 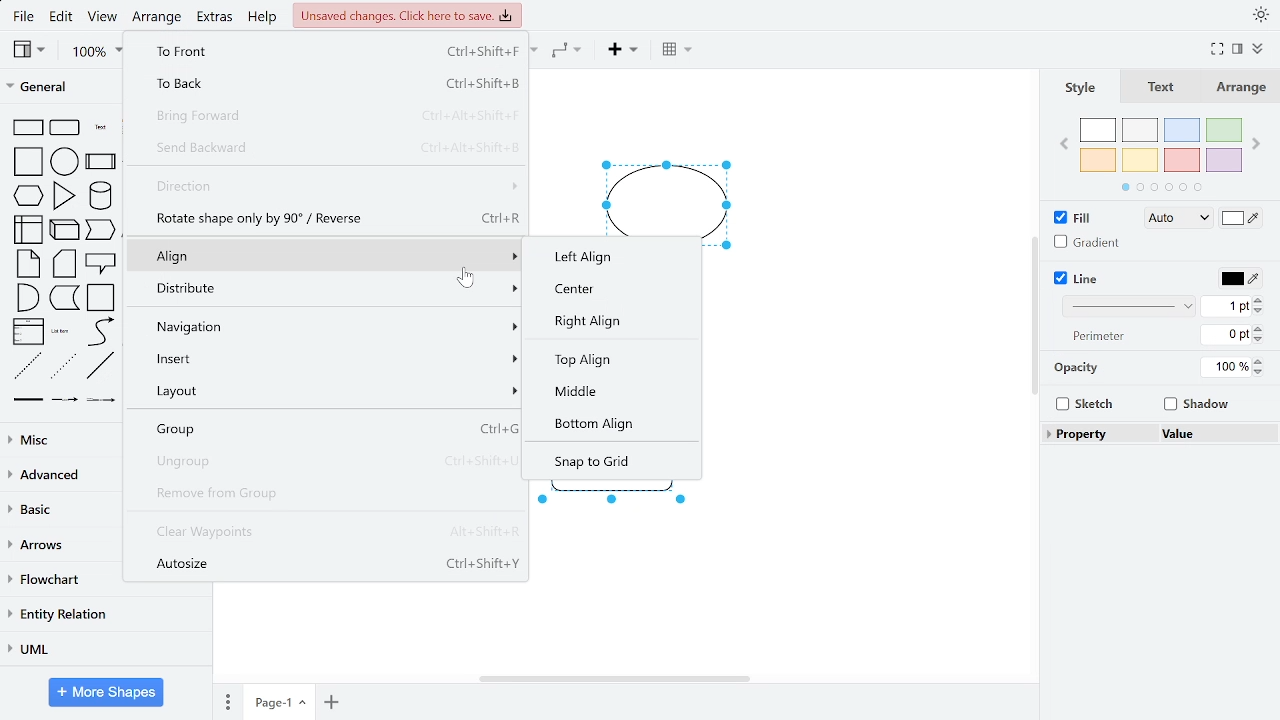 What do you see at coordinates (1262, 326) in the screenshot?
I see `increase perimeter` at bounding box center [1262, 326].